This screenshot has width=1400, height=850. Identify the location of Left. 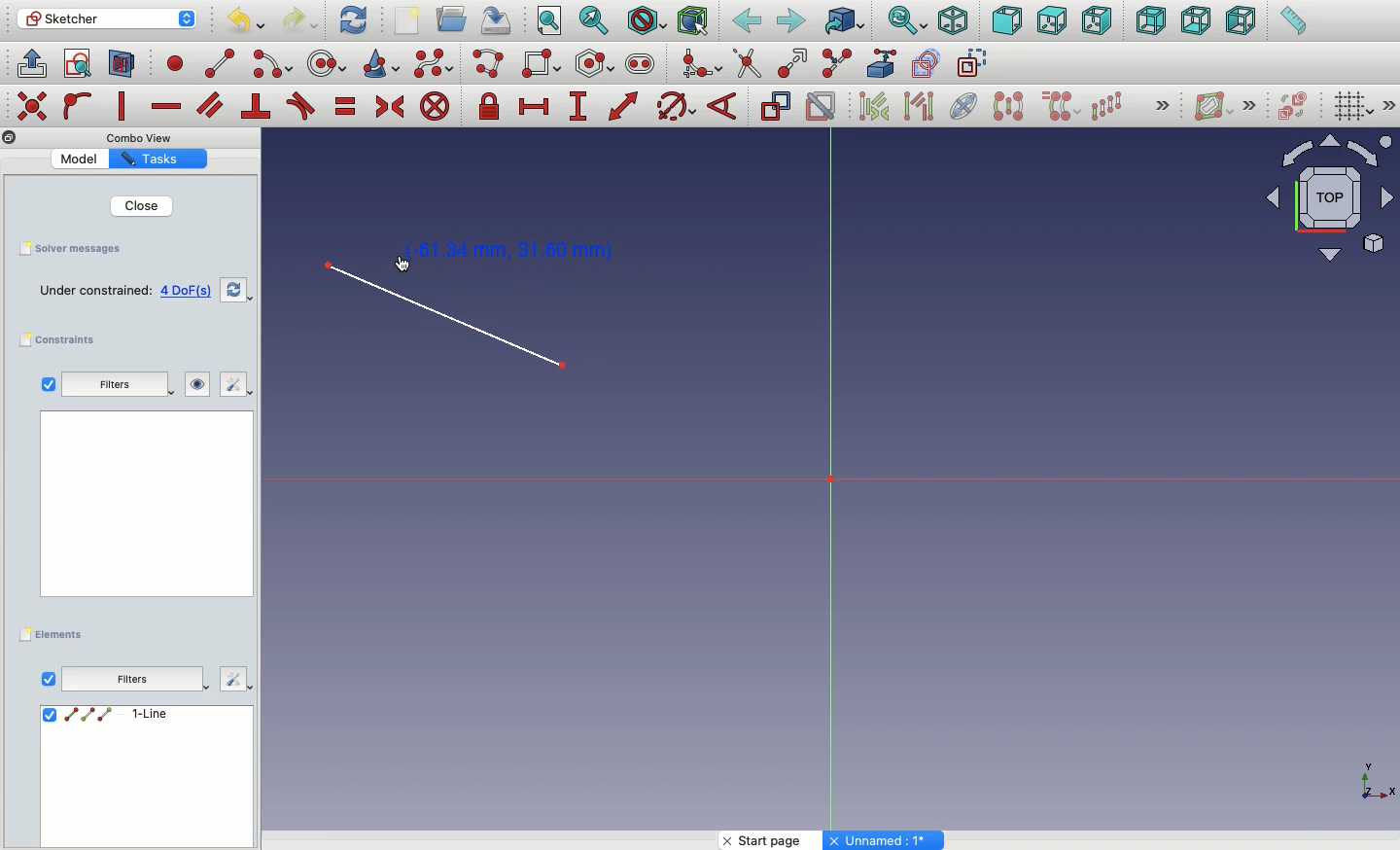
(1242, 22).